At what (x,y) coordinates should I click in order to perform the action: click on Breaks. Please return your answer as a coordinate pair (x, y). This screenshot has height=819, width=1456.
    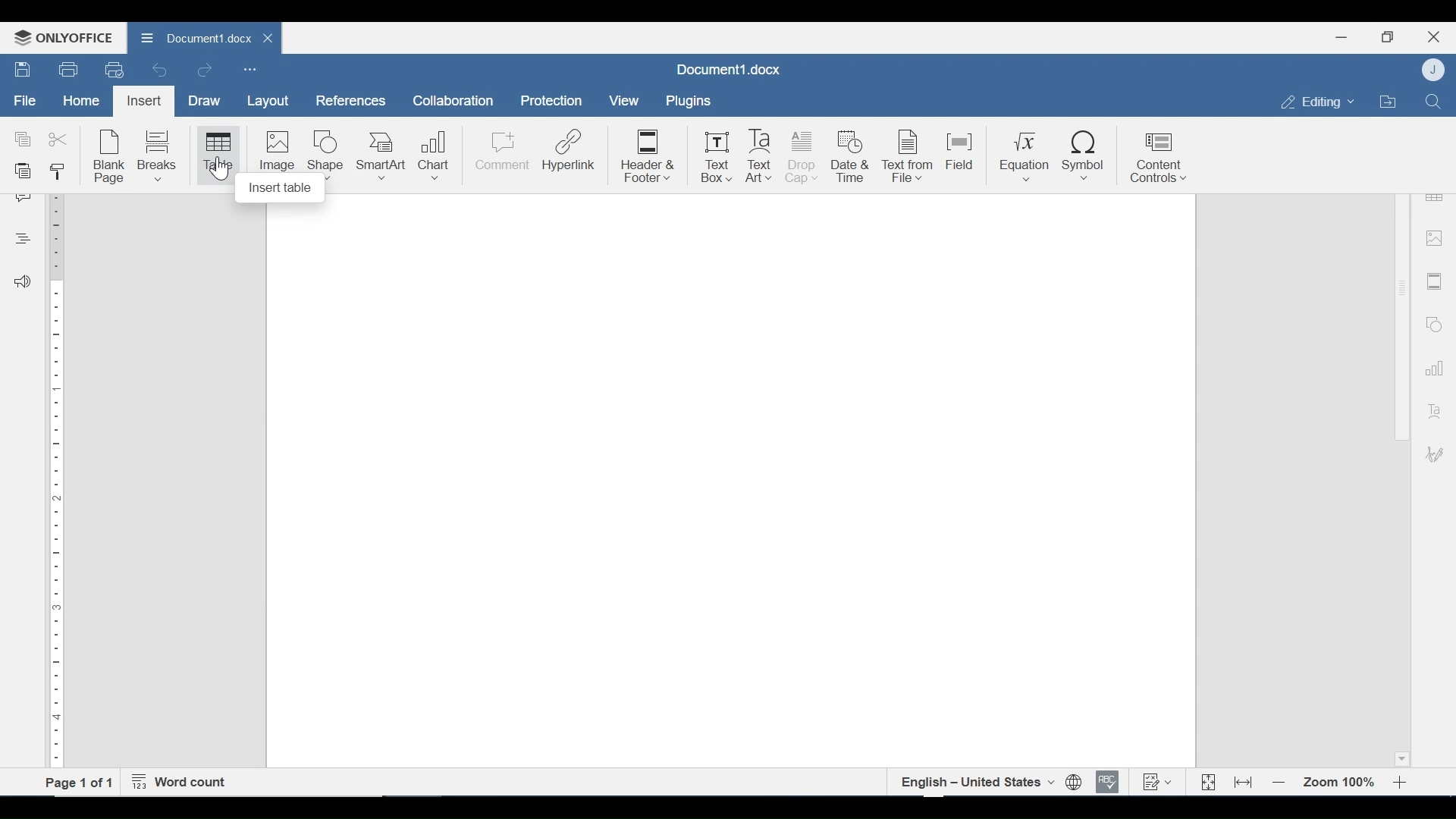
    Looking at the image, I should click on (160, 155).